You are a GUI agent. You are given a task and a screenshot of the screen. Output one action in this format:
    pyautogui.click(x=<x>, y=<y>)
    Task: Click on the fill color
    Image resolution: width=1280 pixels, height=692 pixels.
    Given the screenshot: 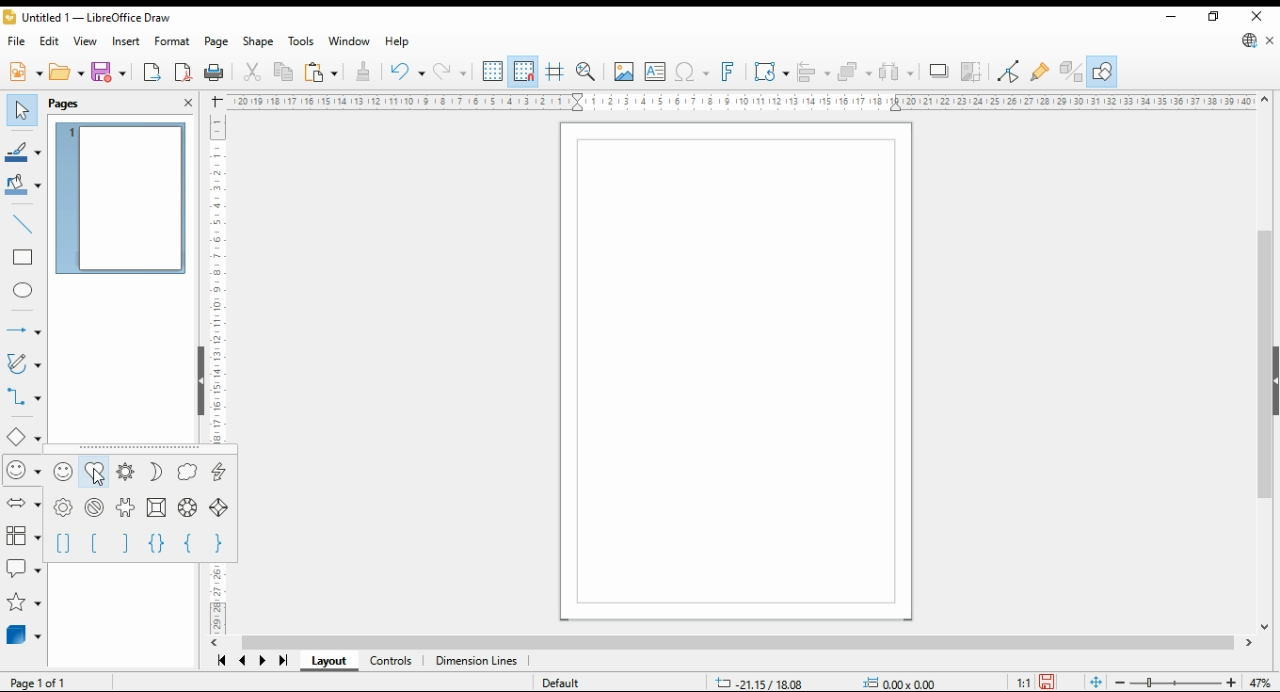 What is the action you would take?
    pyautogui.click(x=24, y=186)
    